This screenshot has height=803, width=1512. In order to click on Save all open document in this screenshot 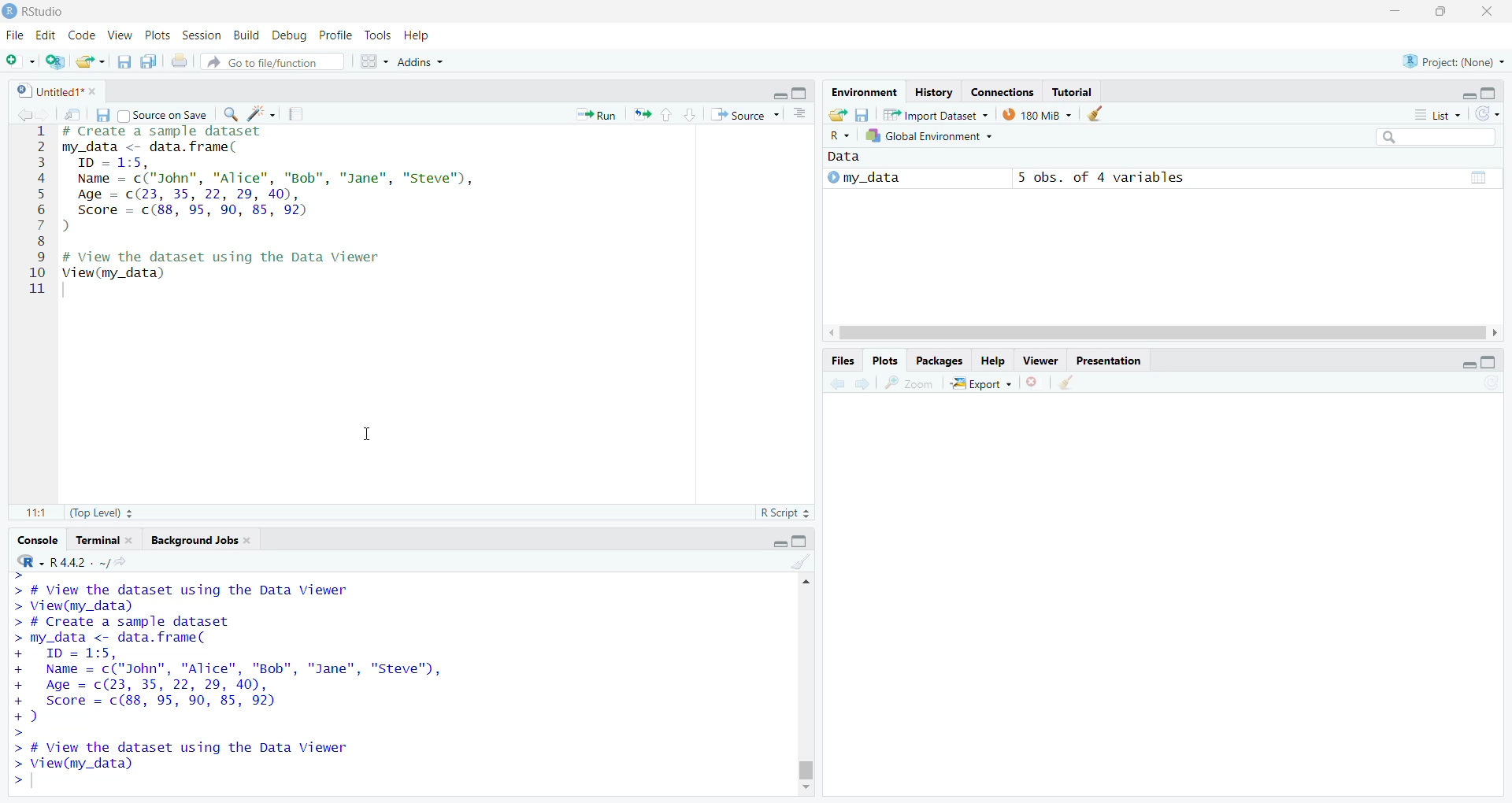, I will do `click(151, 64)`.